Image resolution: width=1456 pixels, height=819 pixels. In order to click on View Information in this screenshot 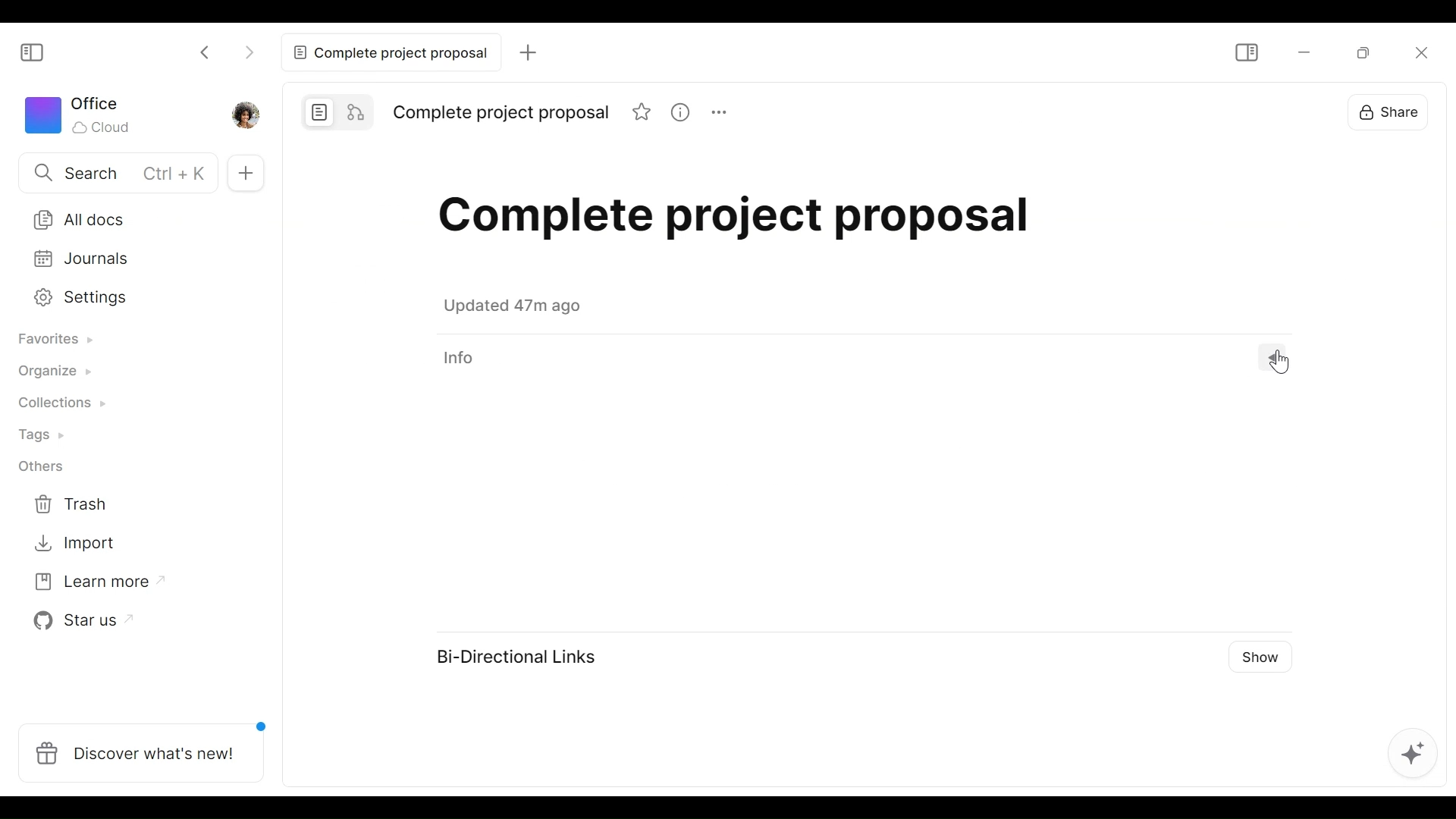, I will do `click(863, 359)`.